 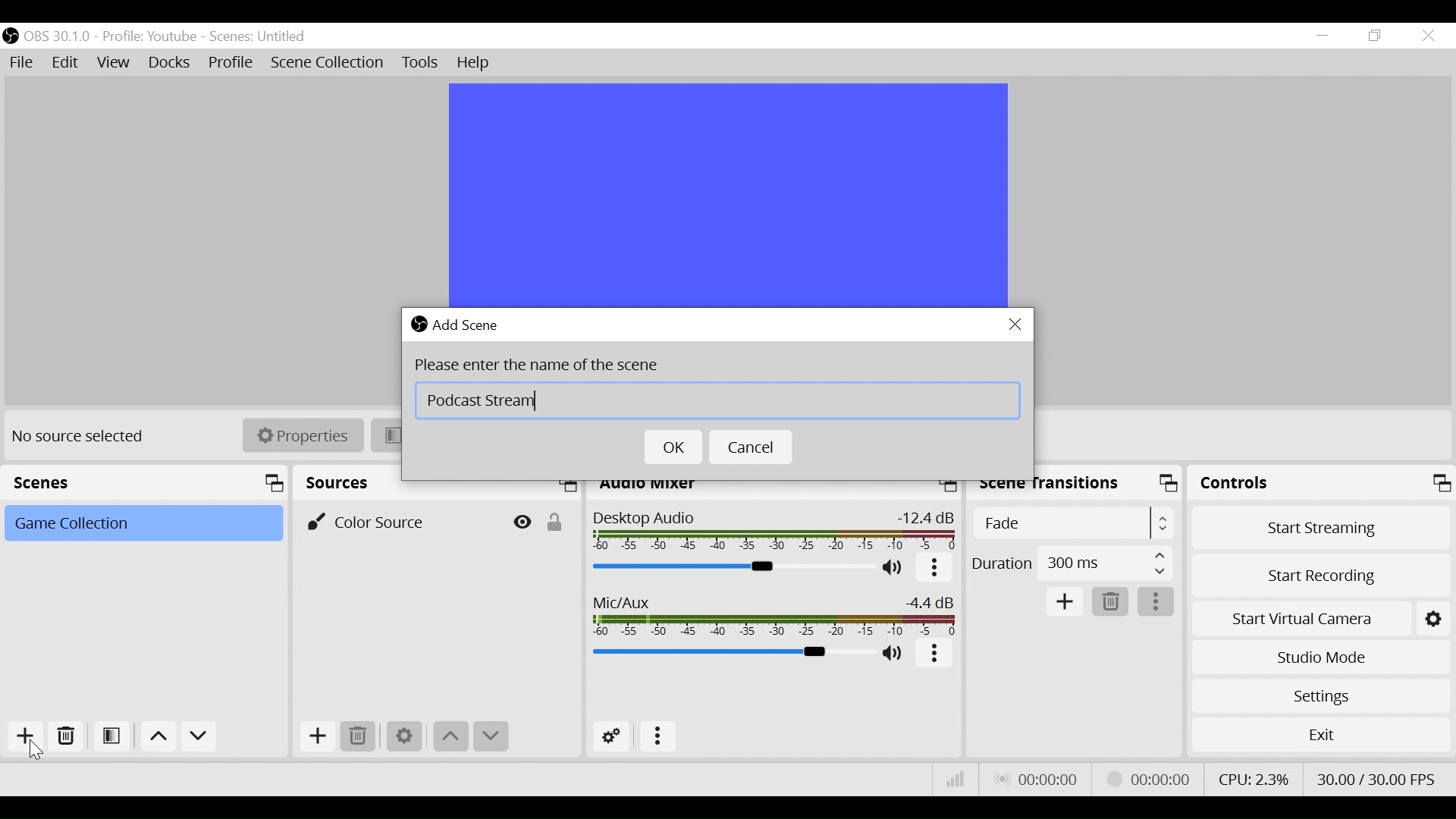 I want to click on Add, so click(x=1065, y=601).